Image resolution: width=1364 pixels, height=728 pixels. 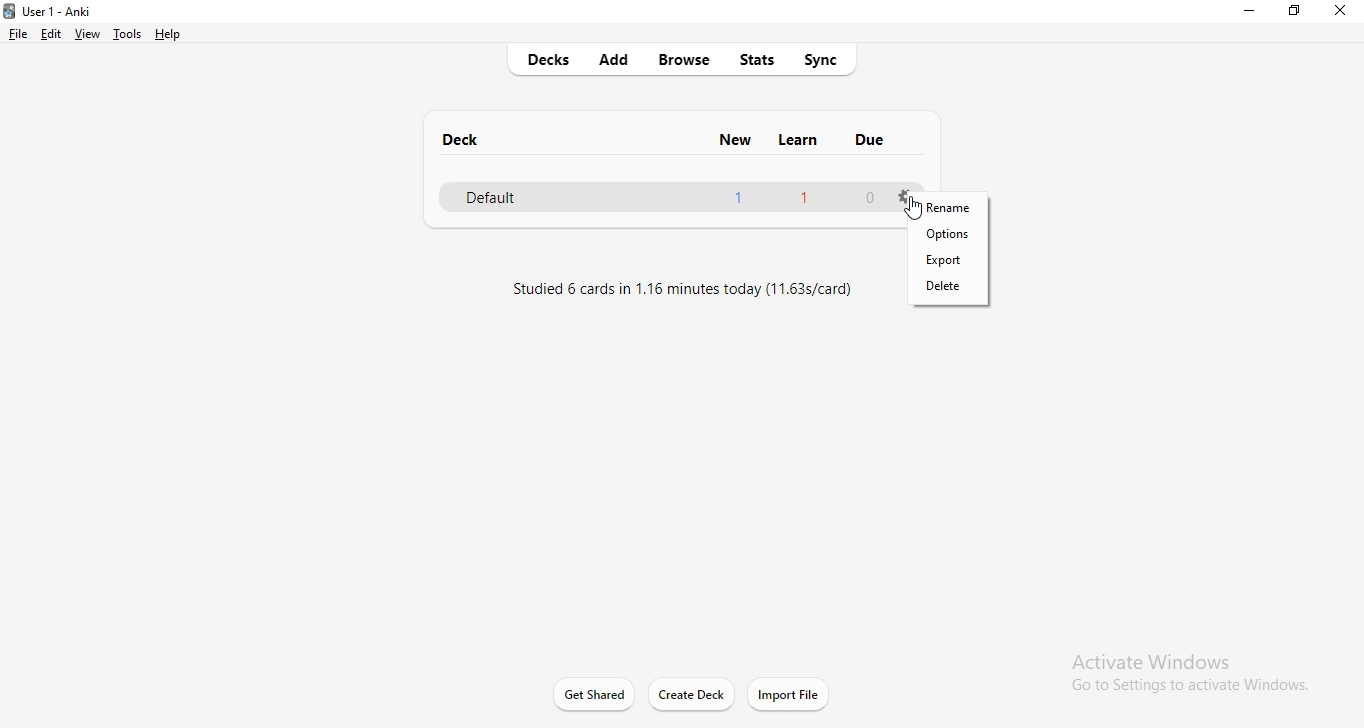 What do you see at coordinates (950, 263) in the screenshot?
I see `export` at bounding box center [950, 263].